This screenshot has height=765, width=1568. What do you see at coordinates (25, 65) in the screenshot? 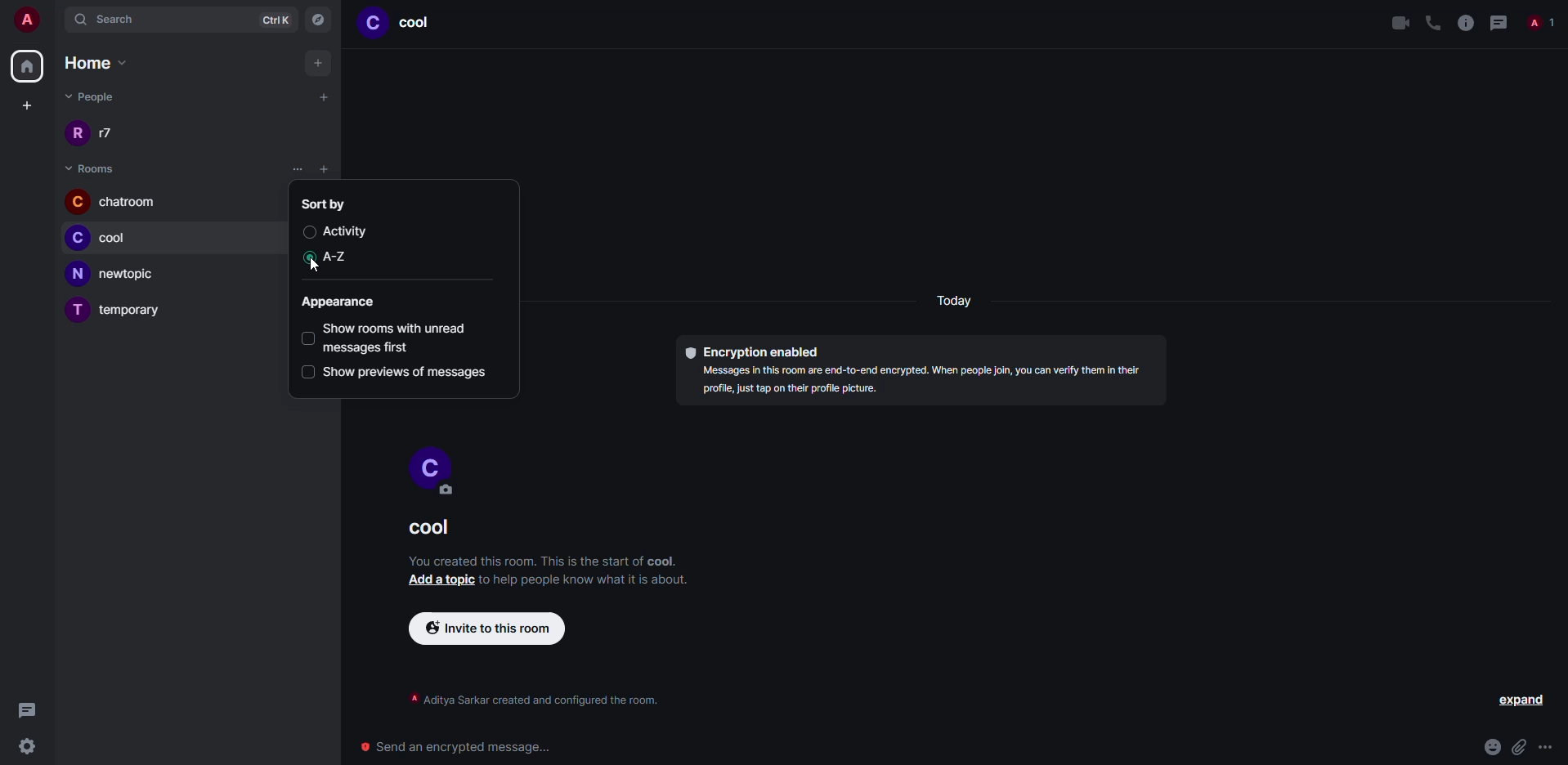
I see `home` at bounding box center [25, 65].